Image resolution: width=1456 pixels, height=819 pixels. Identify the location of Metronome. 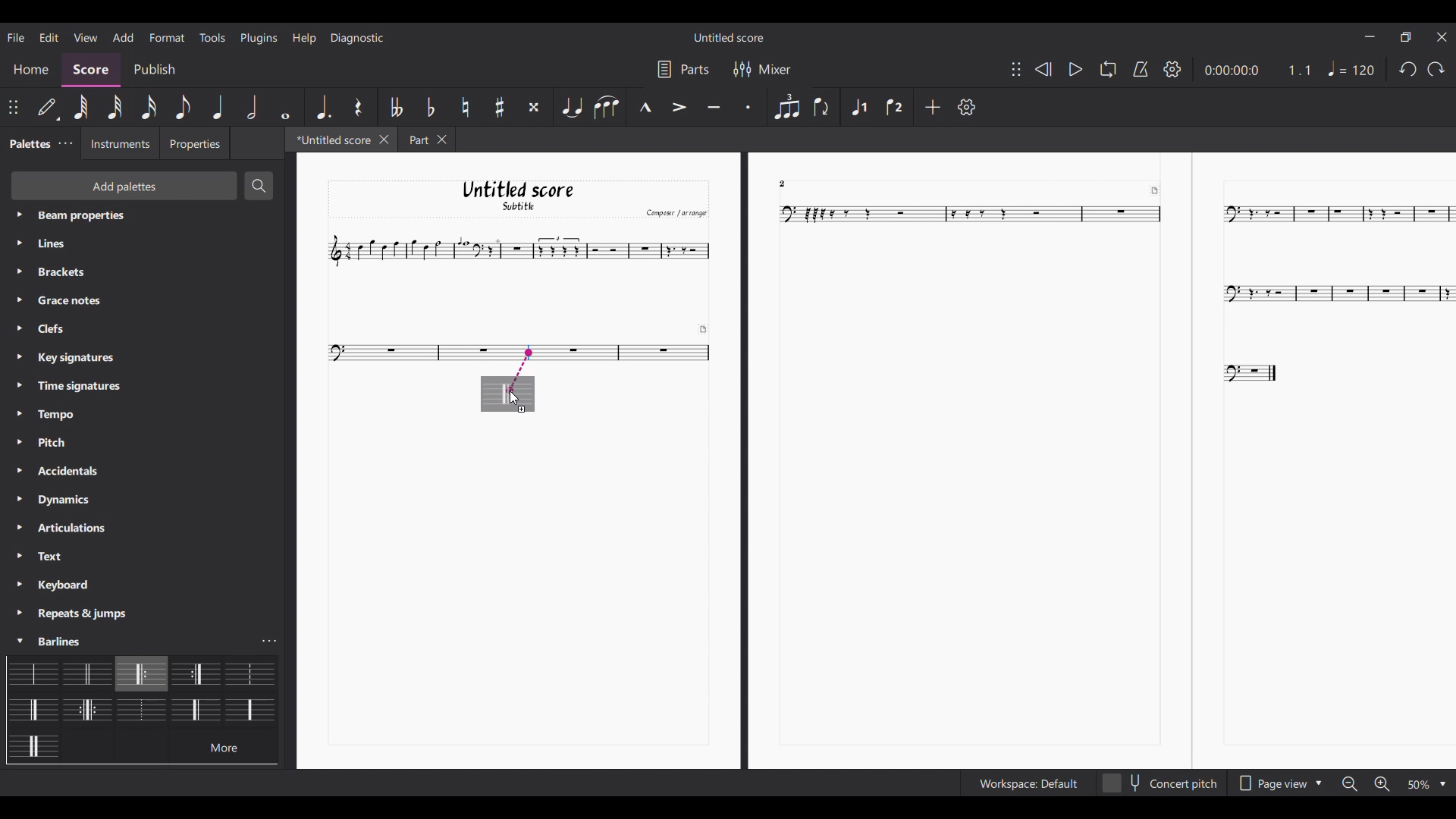
(1141, 69).